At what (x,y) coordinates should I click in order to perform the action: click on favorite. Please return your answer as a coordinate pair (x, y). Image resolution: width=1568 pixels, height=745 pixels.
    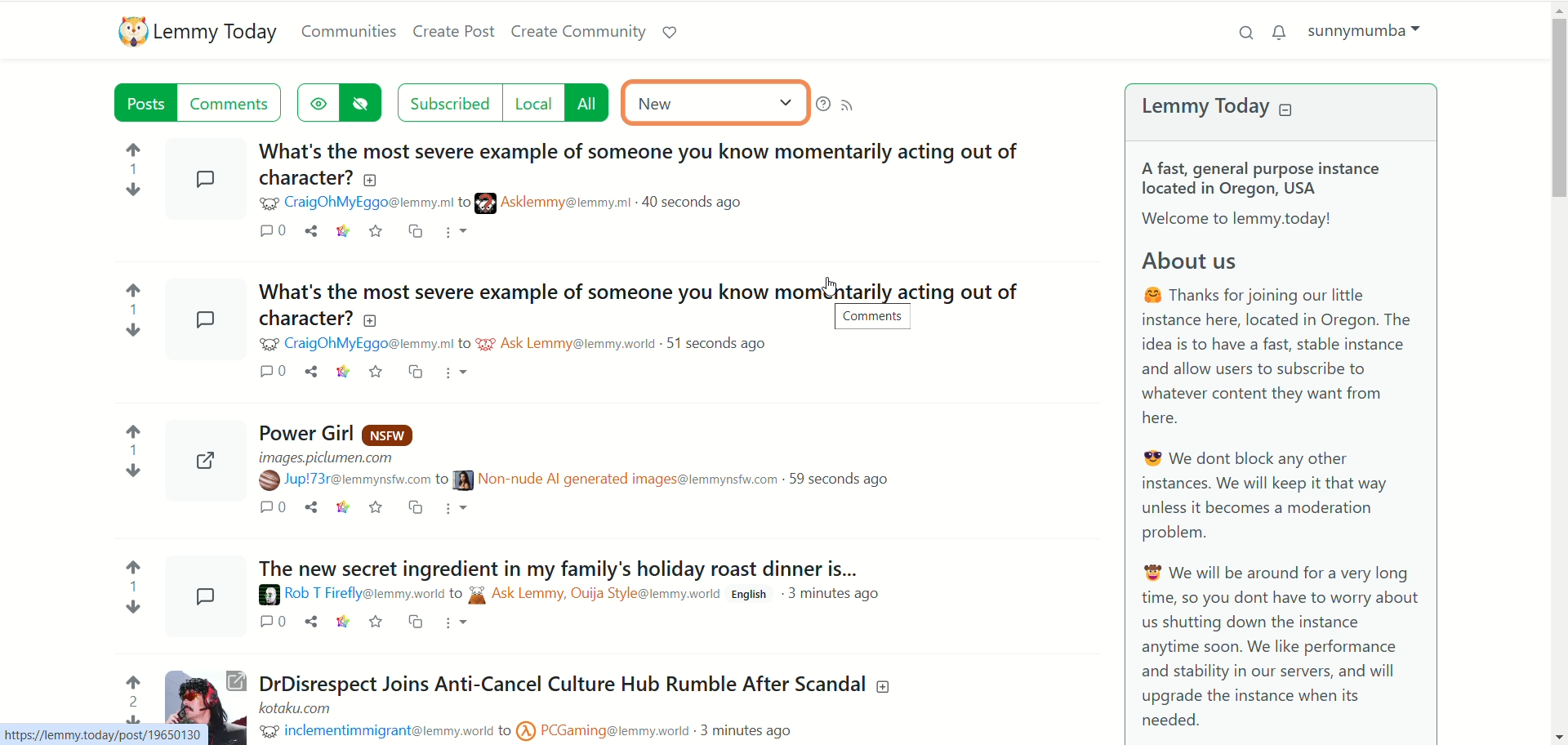
    Looking at the image, I should click on (381, 229).